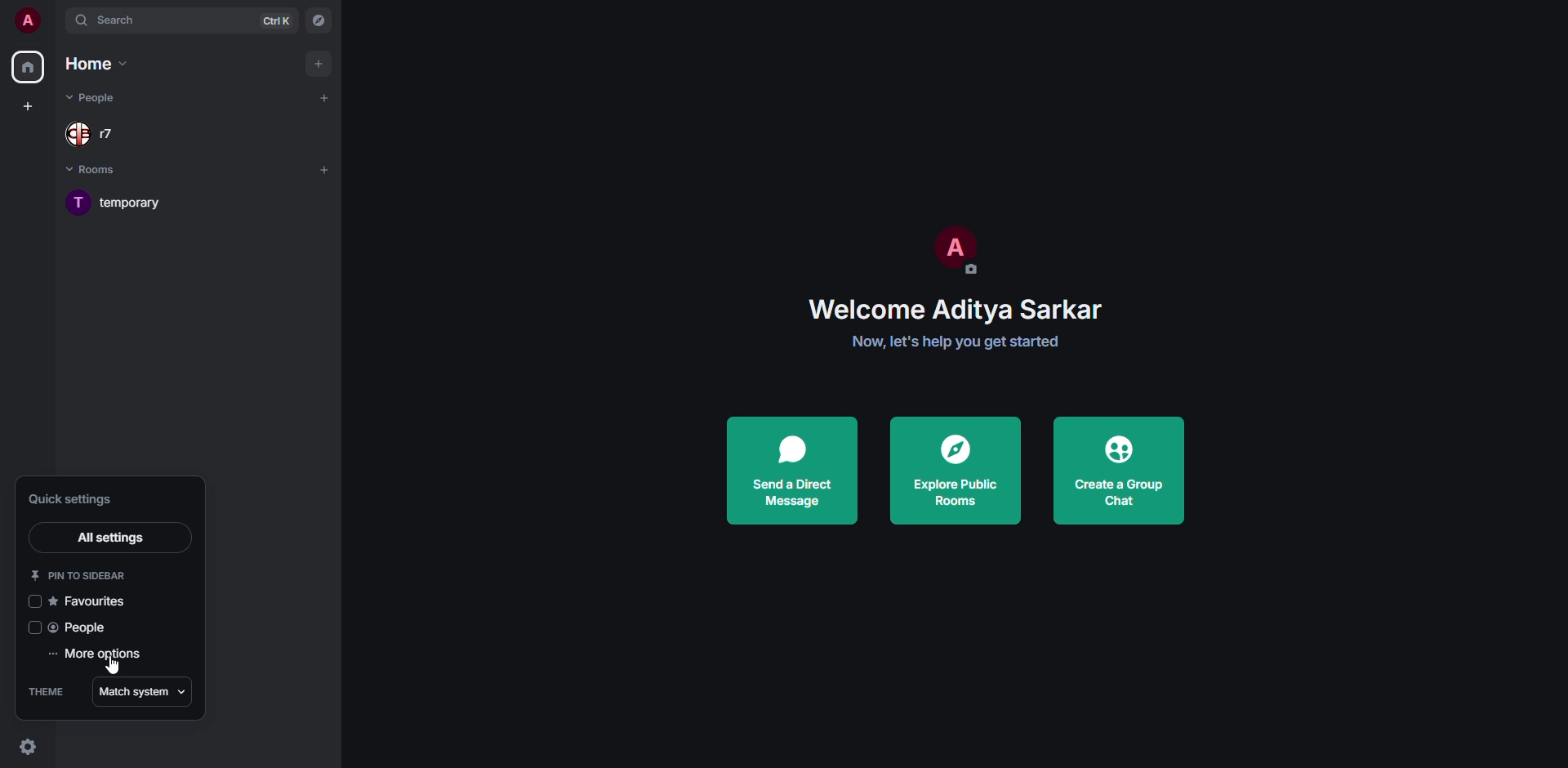 Image resolution: width=1568 pixels, height=768 pixels. I want to click on welcome, so click(956, 310).